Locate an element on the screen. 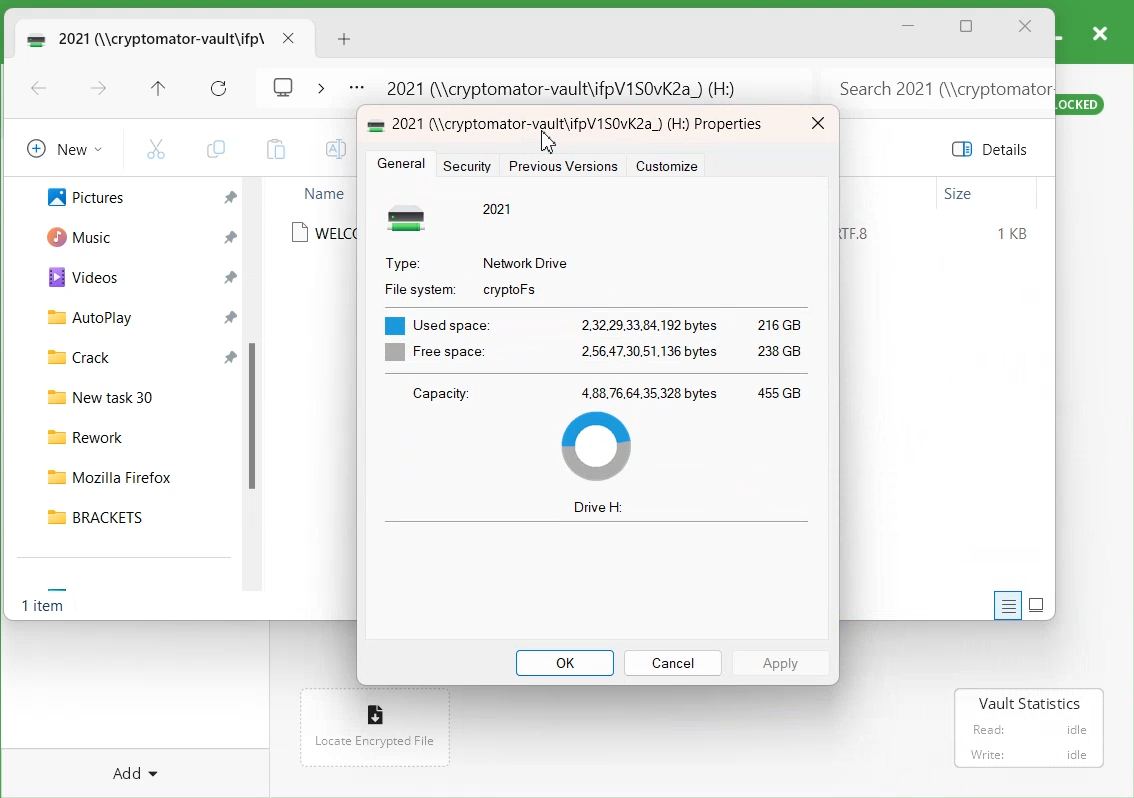 The width and height of the screenshot is (1134, 798). Drive H is located at coordinates (599, 508).